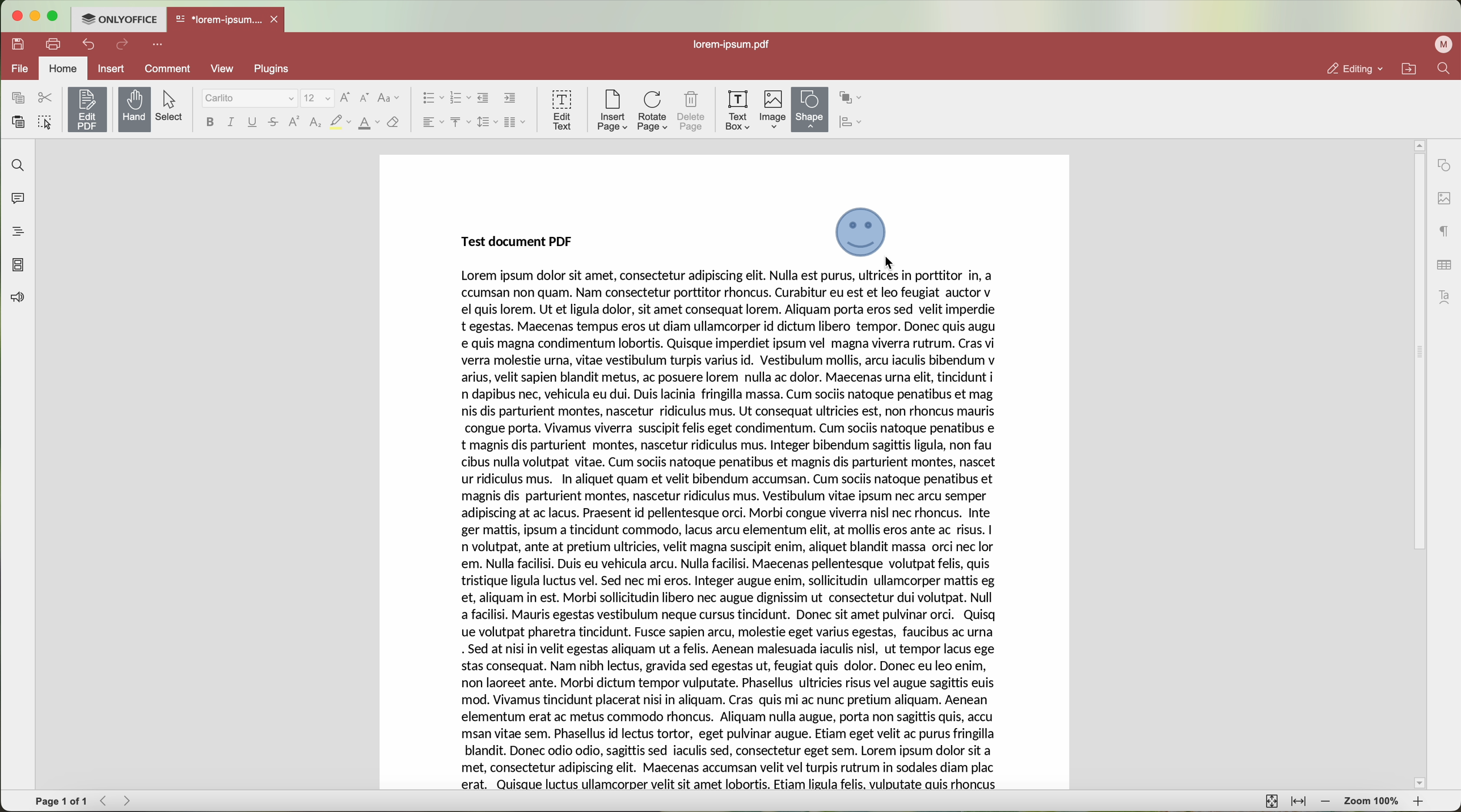  I want to click on lorem-ipsum.pdf, so click(737, 45).